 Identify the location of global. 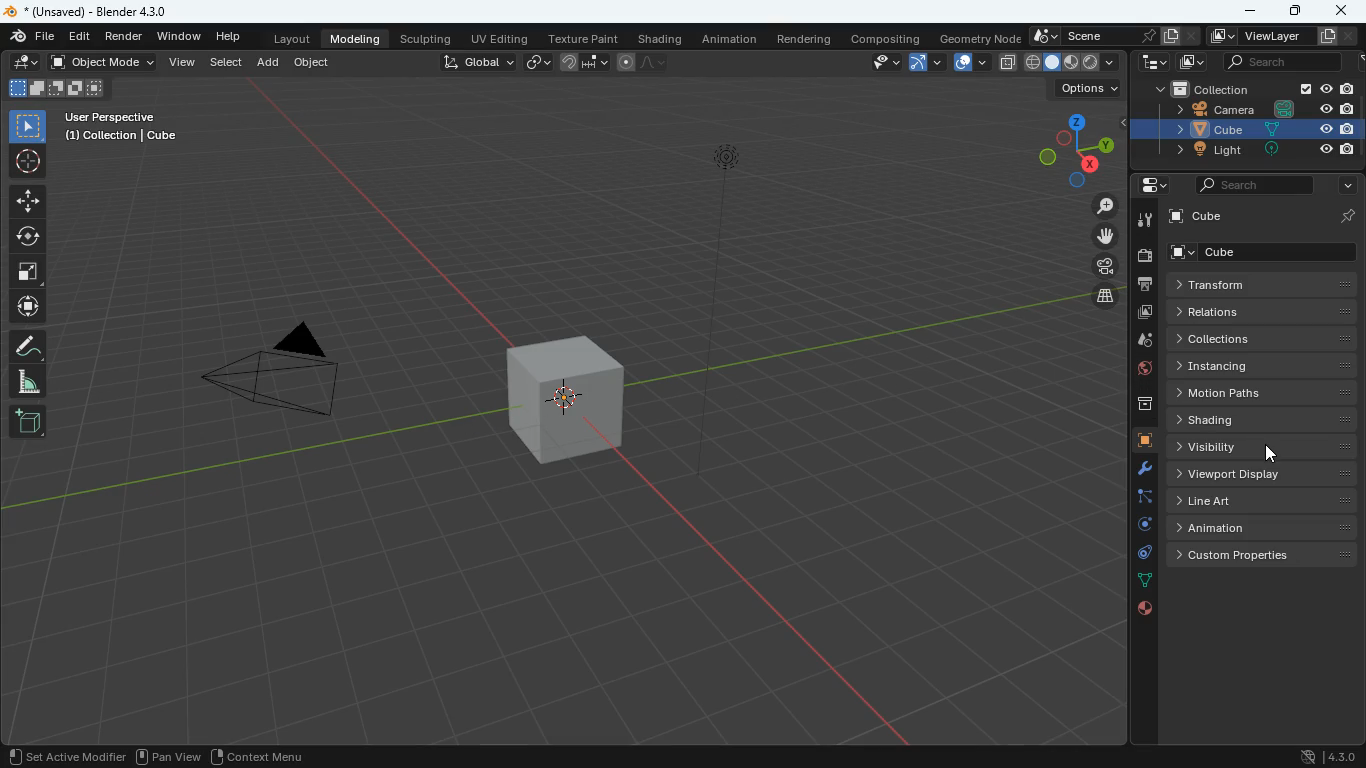
(470, 63).